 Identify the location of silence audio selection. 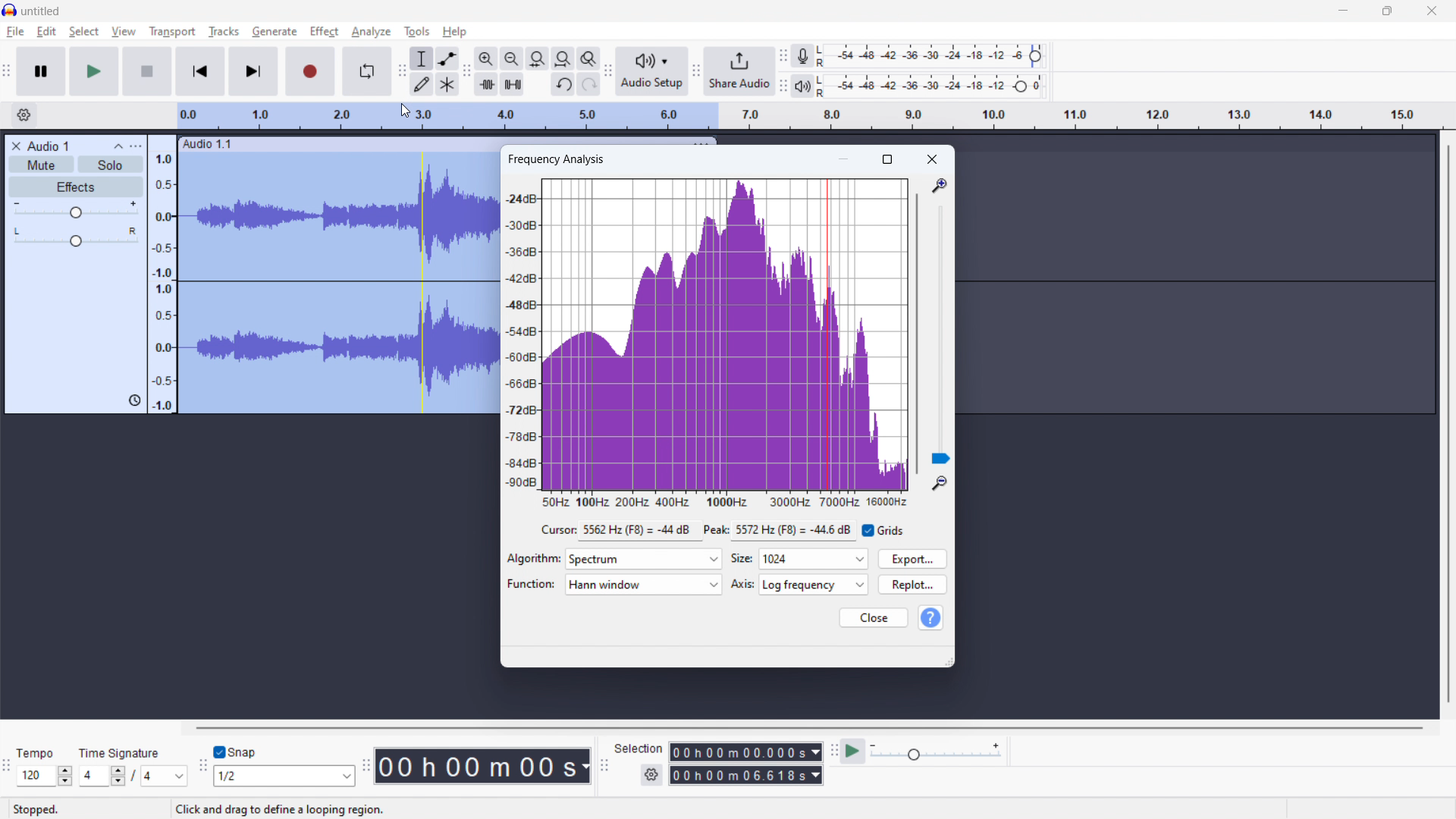
(513, 83).